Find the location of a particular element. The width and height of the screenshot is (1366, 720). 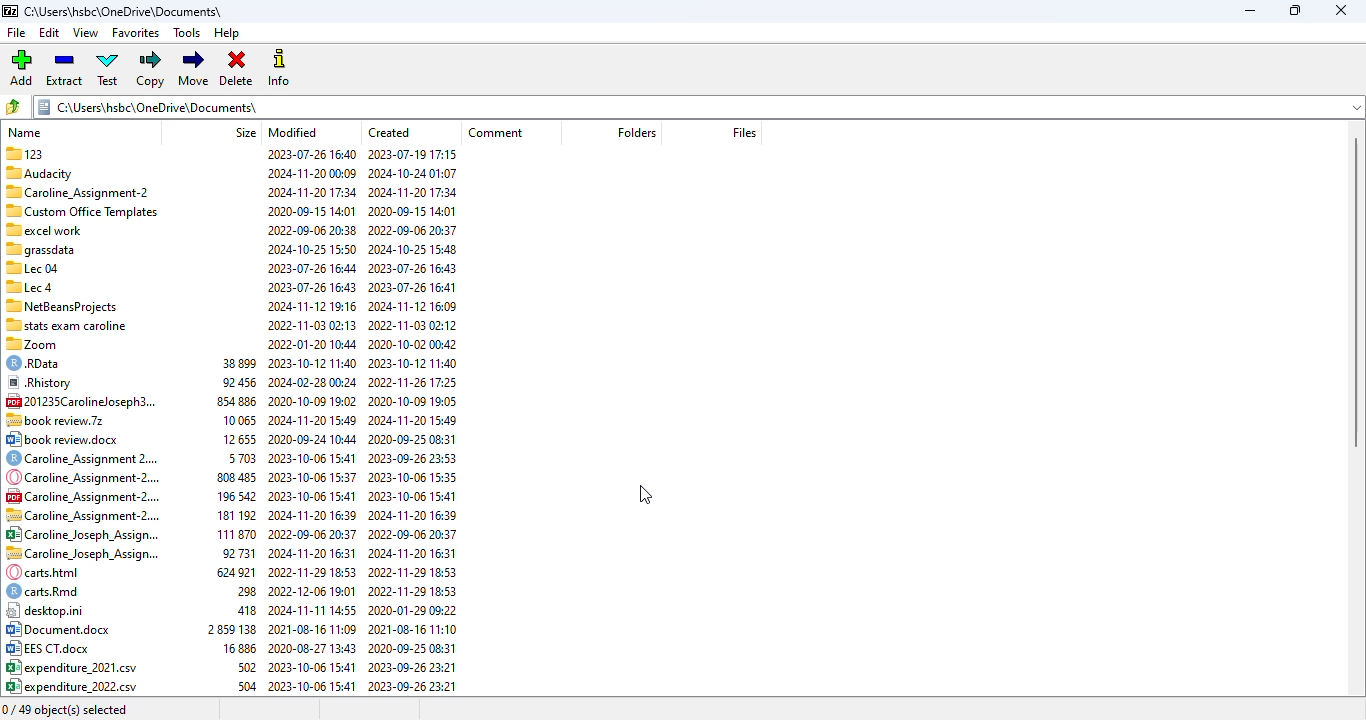

folder is located at coordinates (126, 11).